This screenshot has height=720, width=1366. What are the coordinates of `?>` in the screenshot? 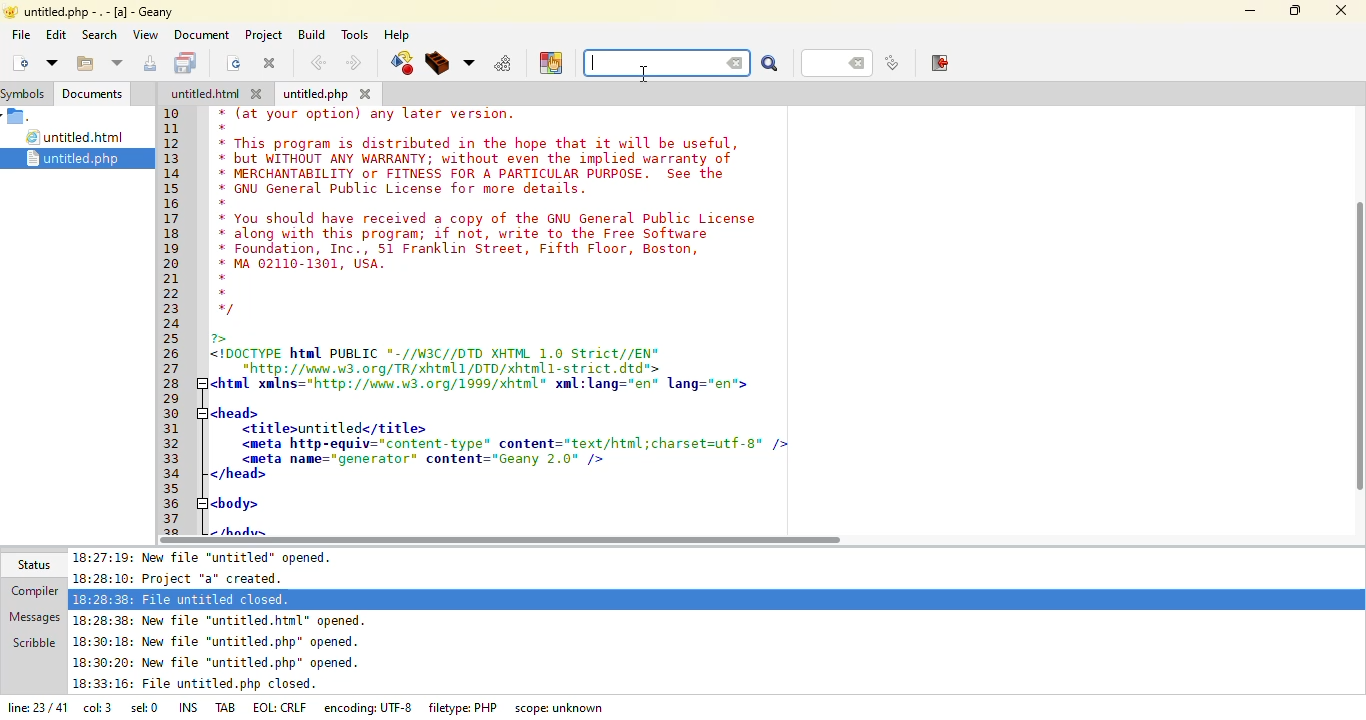 It's located at (224, 338).